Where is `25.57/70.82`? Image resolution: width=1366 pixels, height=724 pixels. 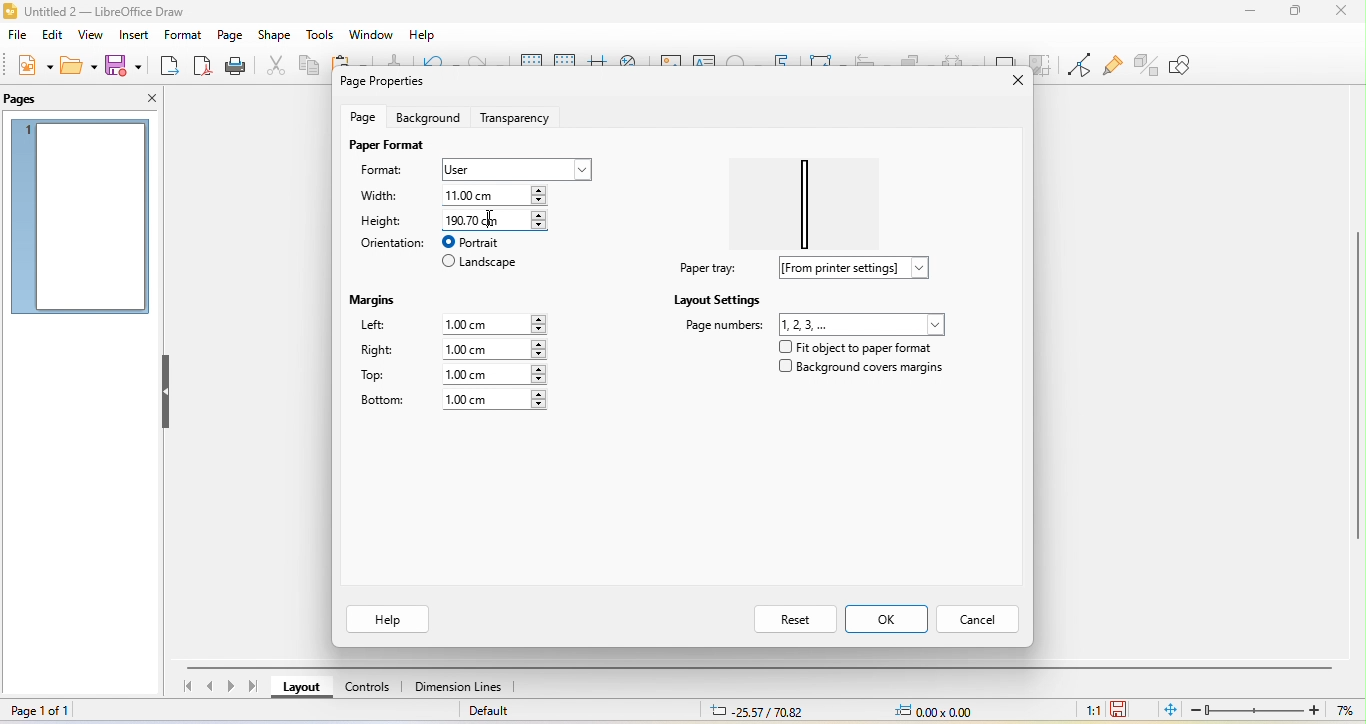 25.57/70.82 is located at coordinates (757, 711).